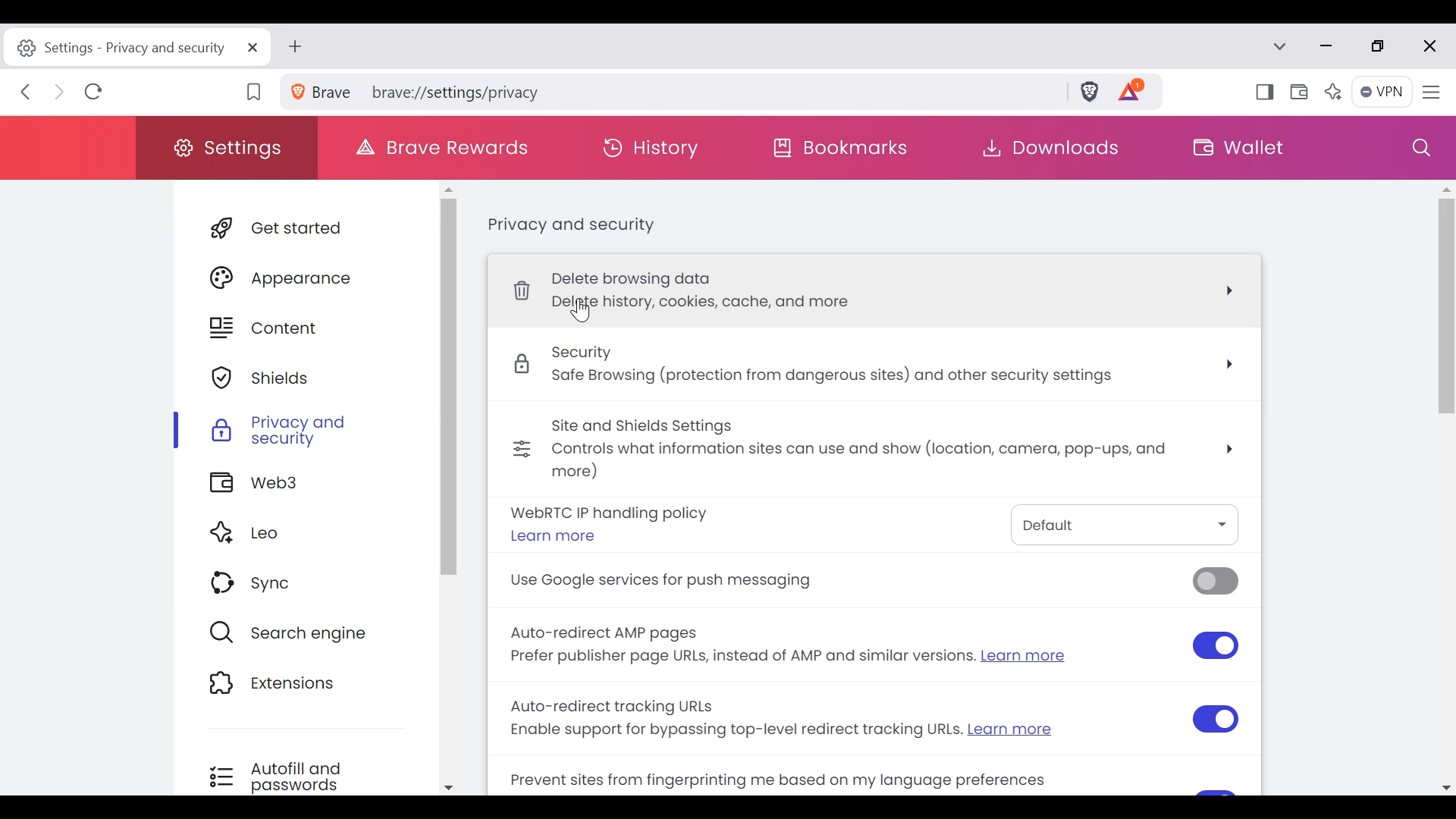 This screenshot has height=819, width=1456. Describe the element at coordinates (298, 632) in the screenshot. I see `Search Engine` at that location.